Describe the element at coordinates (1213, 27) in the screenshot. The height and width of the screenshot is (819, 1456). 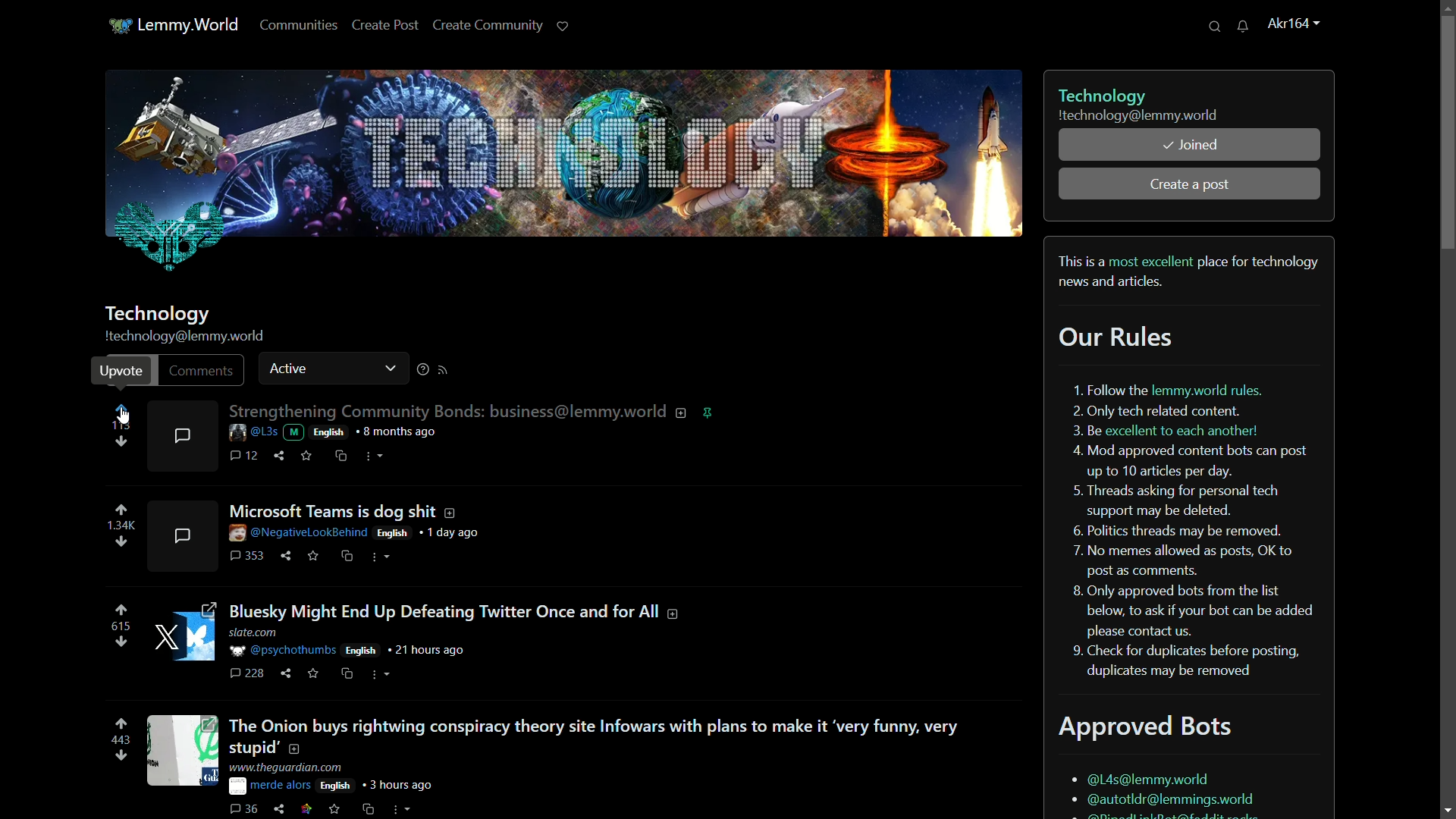
I see `search` at that location.